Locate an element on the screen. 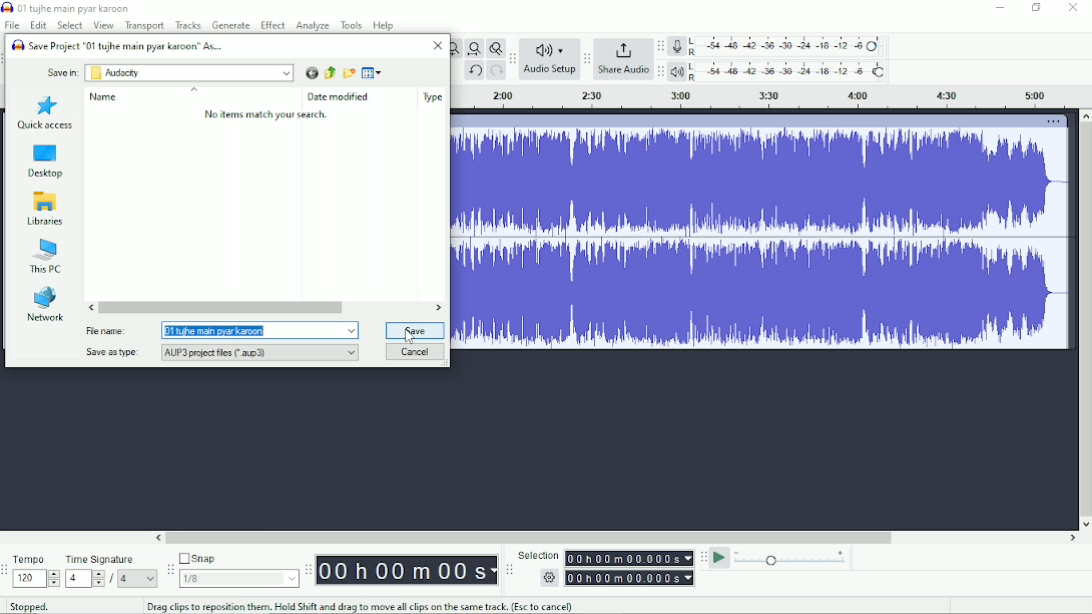 The height and width of the screenshot is (614, 1092). Edit is located at coordinates (38, 25).